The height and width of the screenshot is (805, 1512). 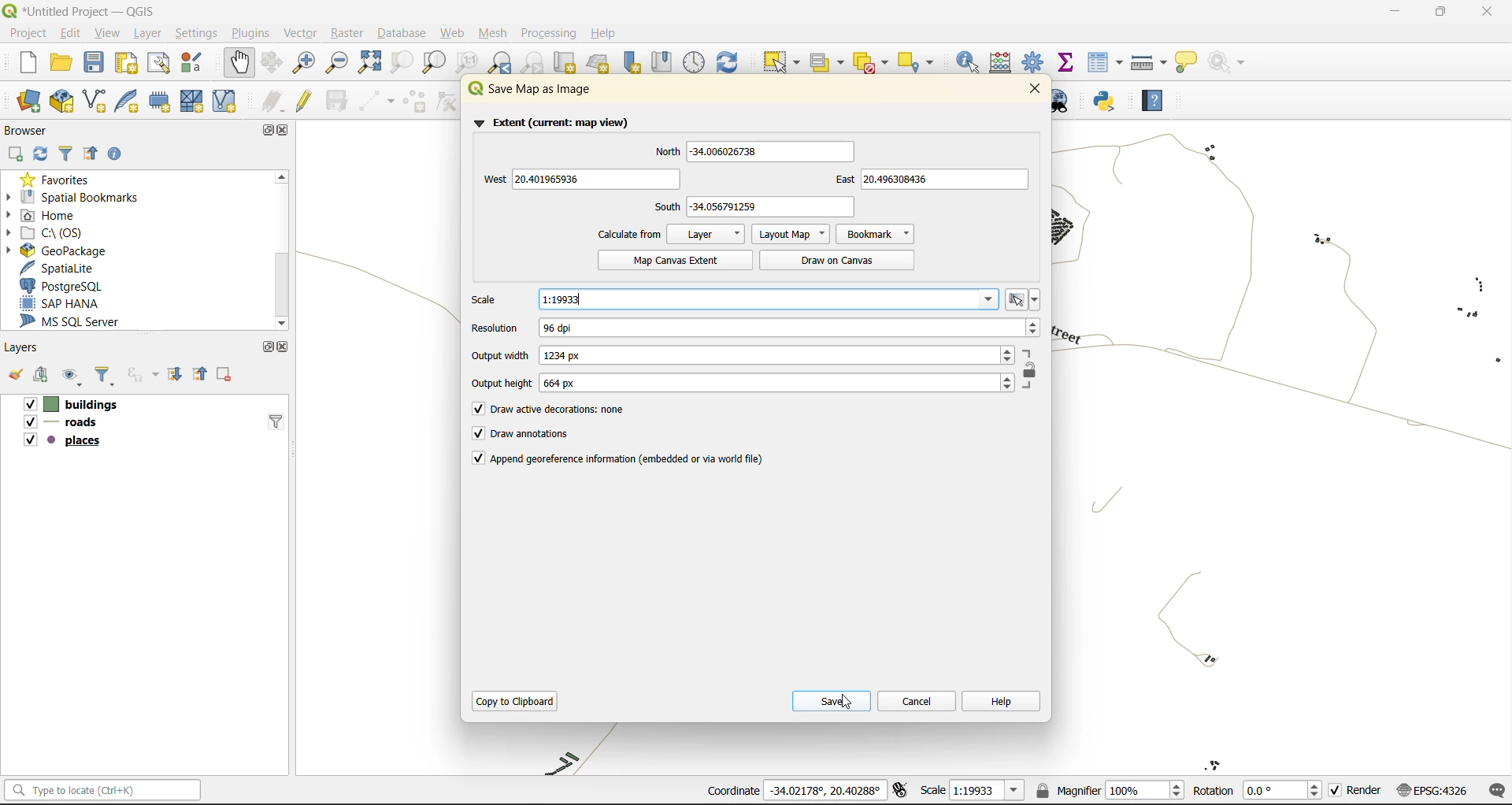 What do you see at coordinates (373, 100) in the screenshot?
I see `digitize` at bounding box center [373, 100].